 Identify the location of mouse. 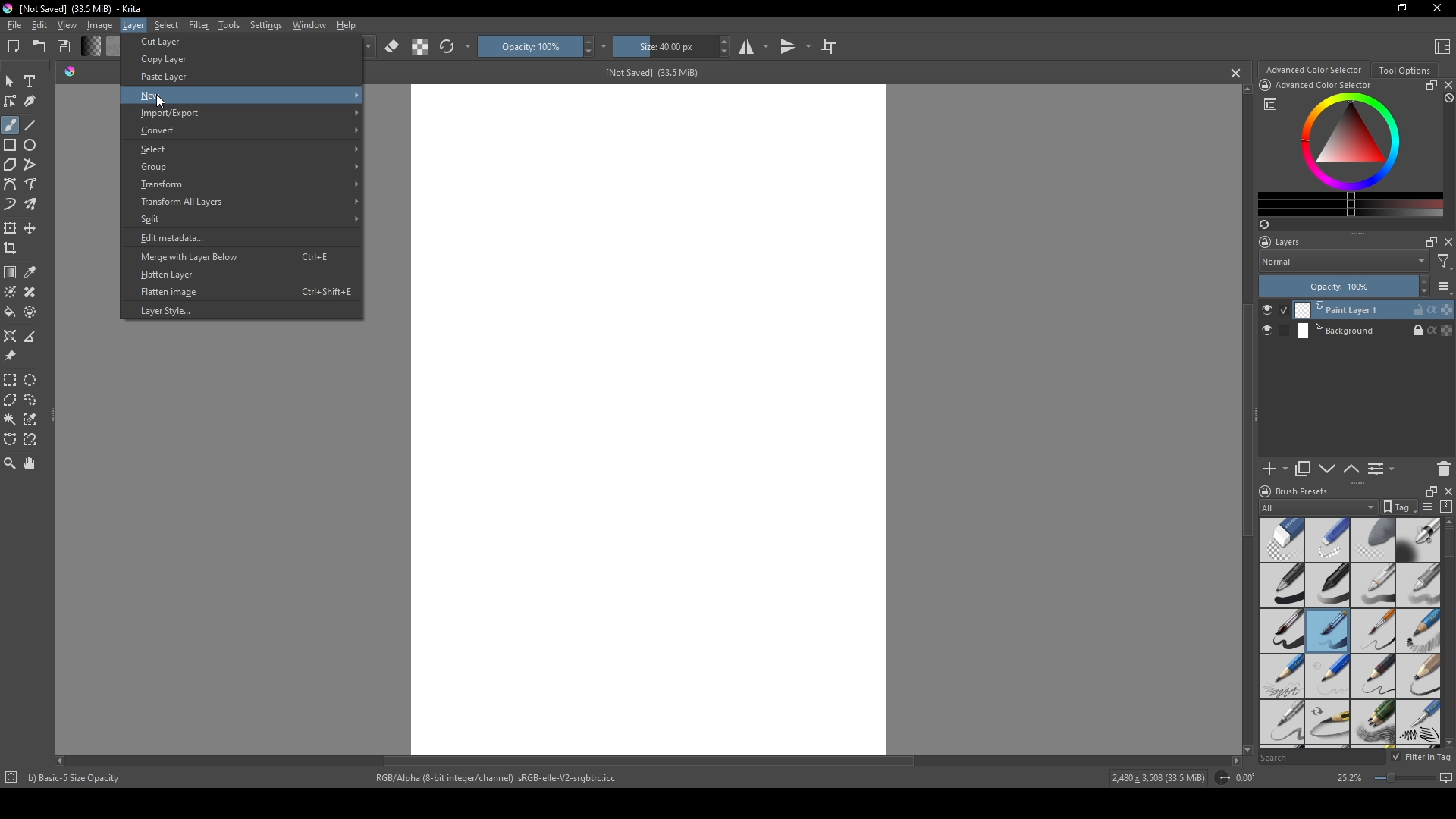
(9, 82).